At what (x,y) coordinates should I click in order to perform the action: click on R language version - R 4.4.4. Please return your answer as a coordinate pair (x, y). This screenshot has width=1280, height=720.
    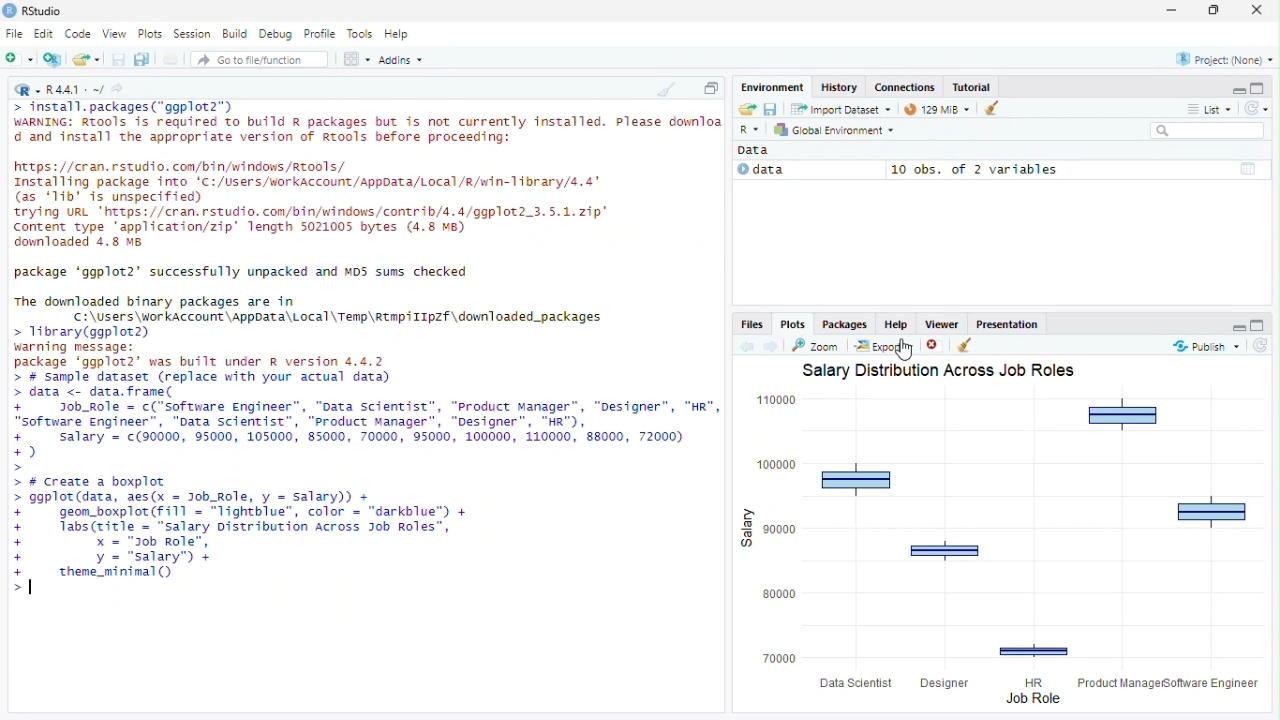
    Looking at the image, I should click on (75, 91).